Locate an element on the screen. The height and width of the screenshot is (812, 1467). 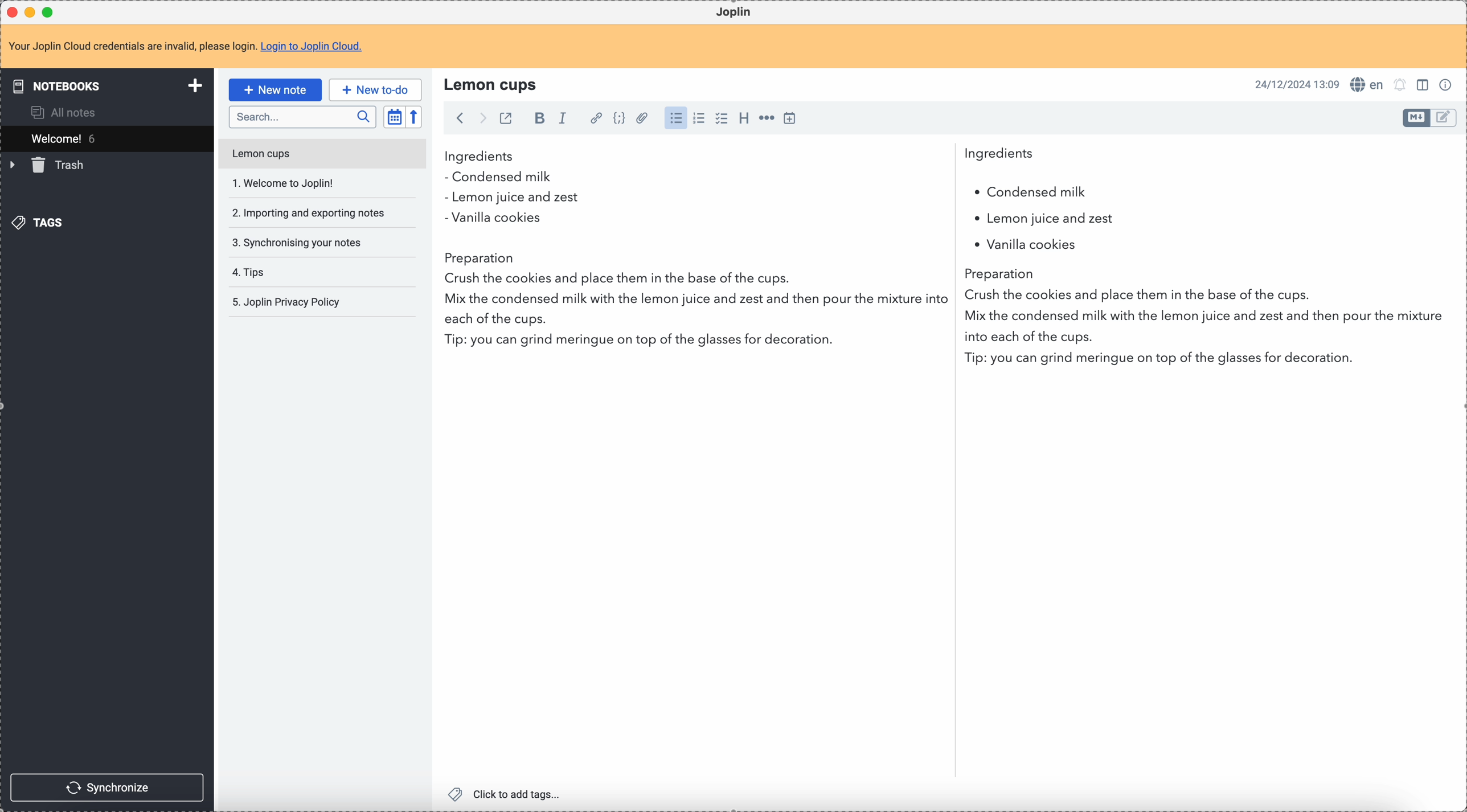
check list is located at coordinates (721, 118).